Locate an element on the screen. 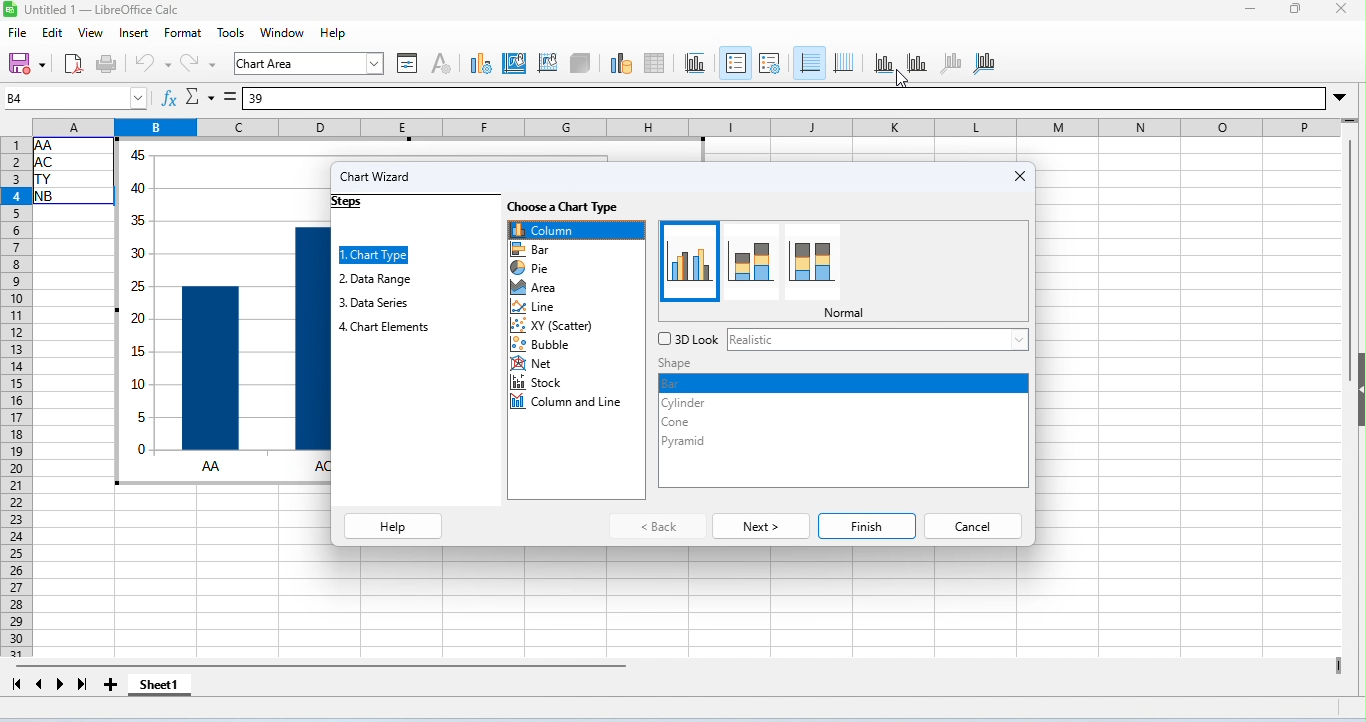 Image resolution: width=1366 pixels, height=722 pixels. next sheet is located at coordinates (63, 685).